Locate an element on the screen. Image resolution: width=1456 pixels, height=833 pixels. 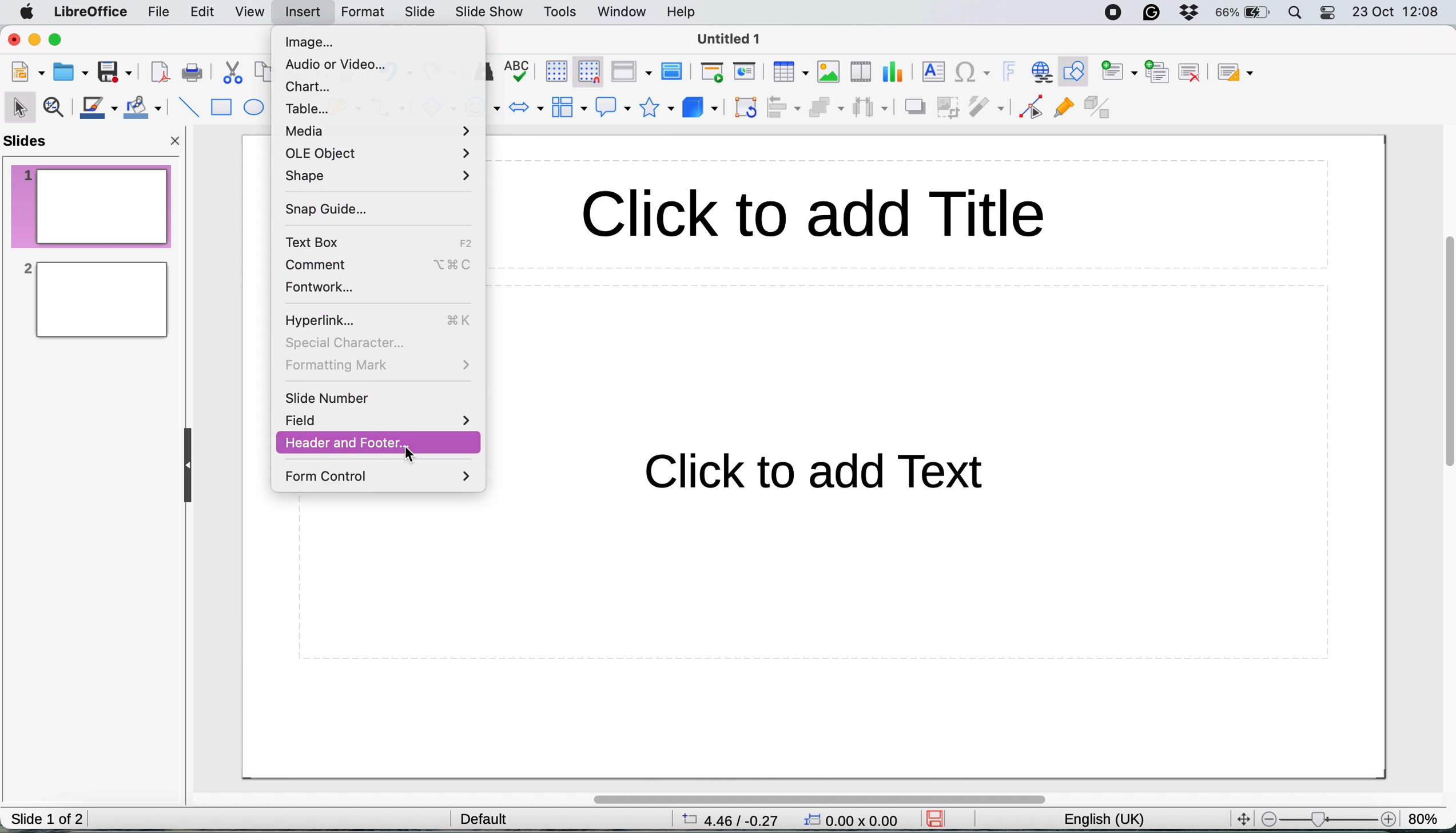
arrange is located at coordinates (825, 109).